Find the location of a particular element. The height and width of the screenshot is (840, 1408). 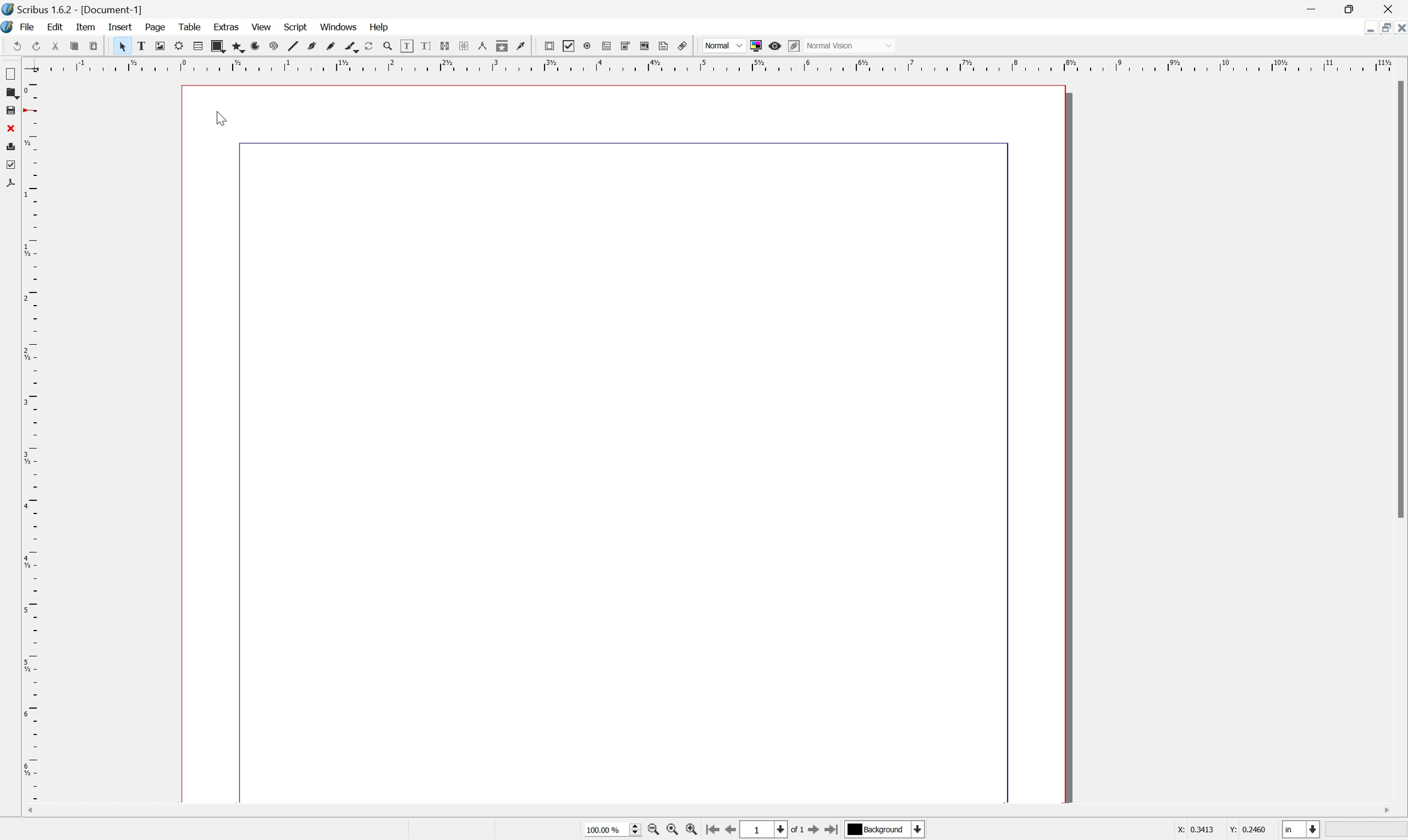

eye dropper is located at coordinates (665, 46).